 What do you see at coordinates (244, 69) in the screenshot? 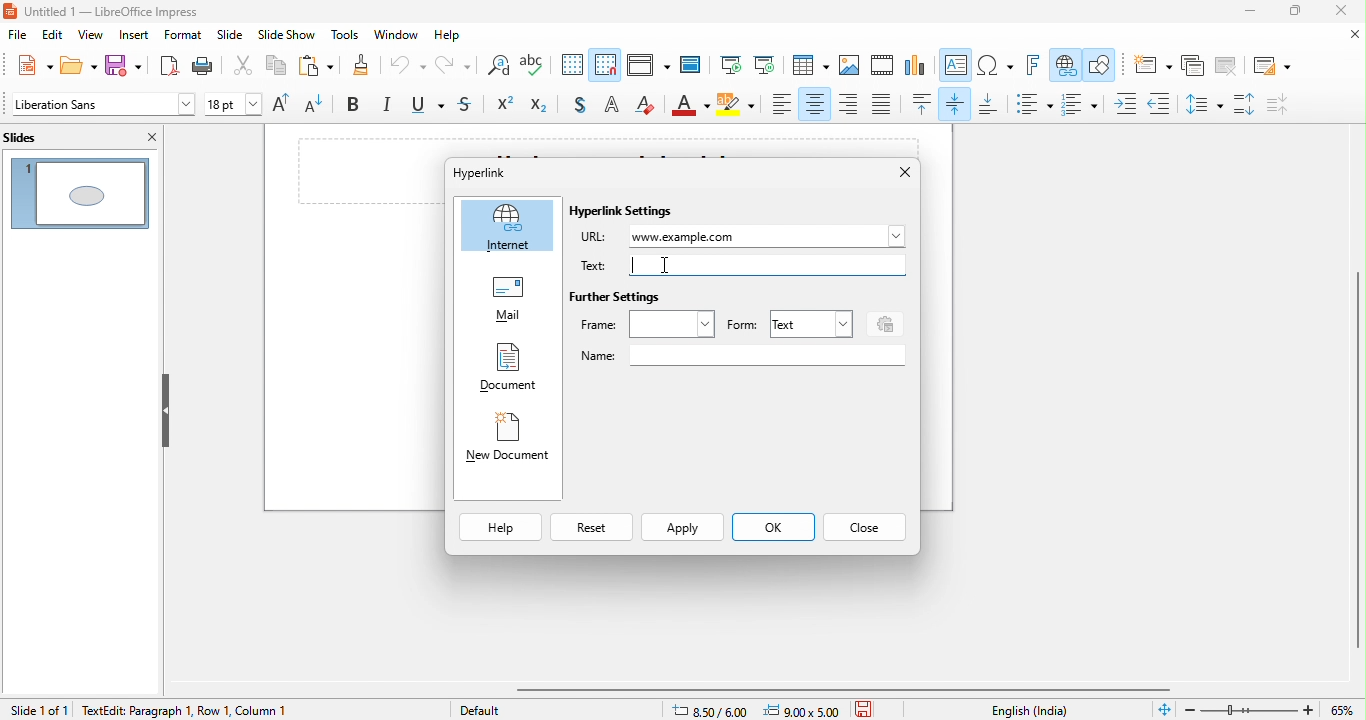
I see `cut` at bounding box center [244, 69].